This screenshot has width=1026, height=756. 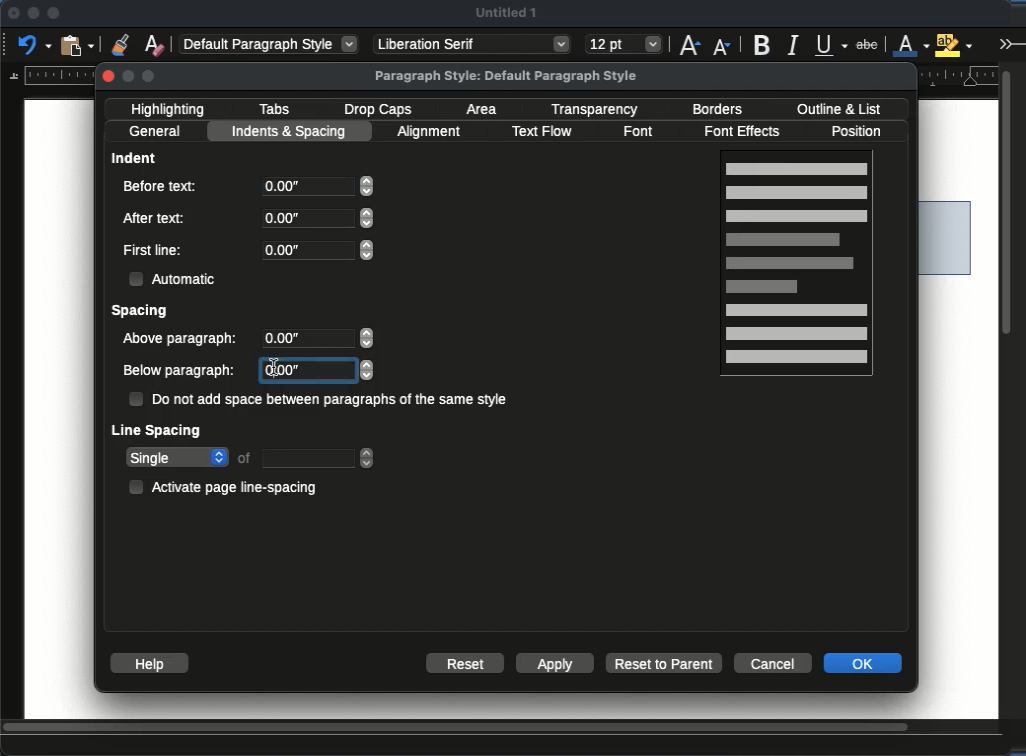 What do you see at coordinates (228, 486) in the screenshot?
I see `activate page line-spacing ` at bounding box center [228, 486].